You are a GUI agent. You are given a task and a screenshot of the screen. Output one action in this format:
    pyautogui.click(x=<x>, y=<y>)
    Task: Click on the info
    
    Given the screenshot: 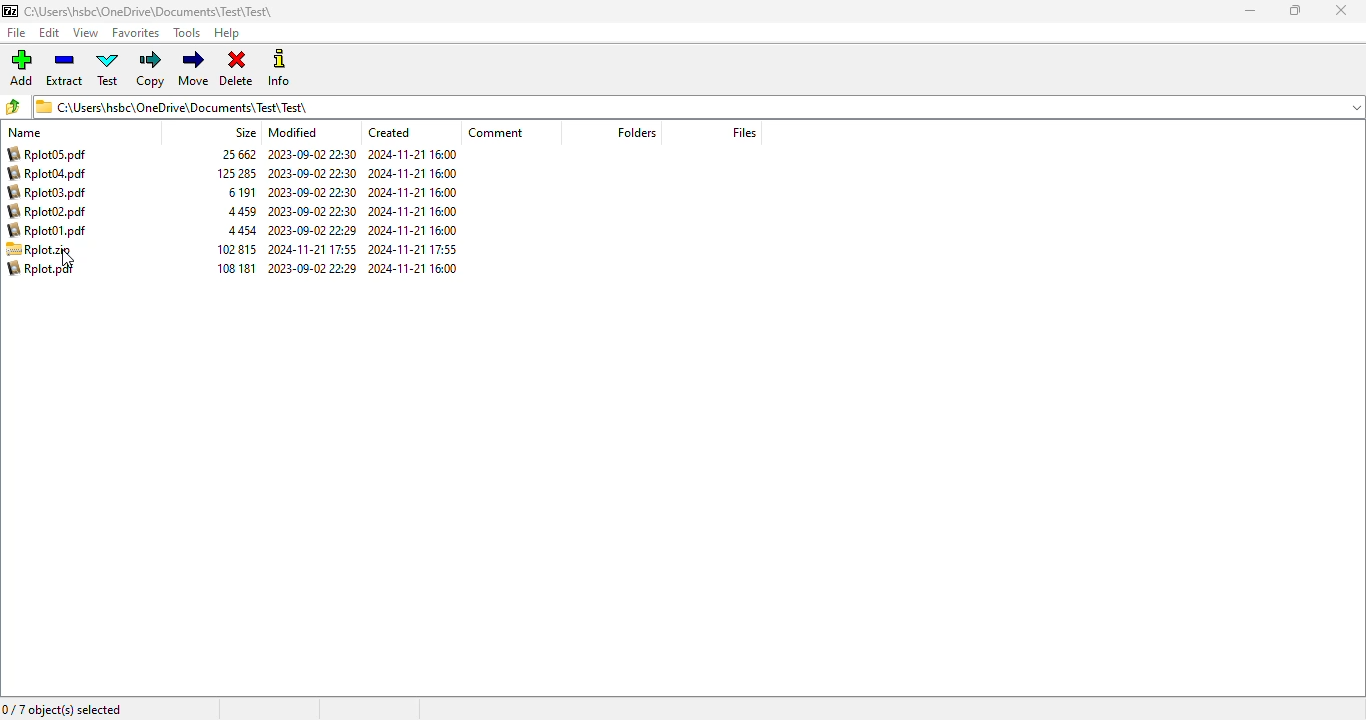 What is the action you would take?
    pyautogui.click(x=277, y=67)
    